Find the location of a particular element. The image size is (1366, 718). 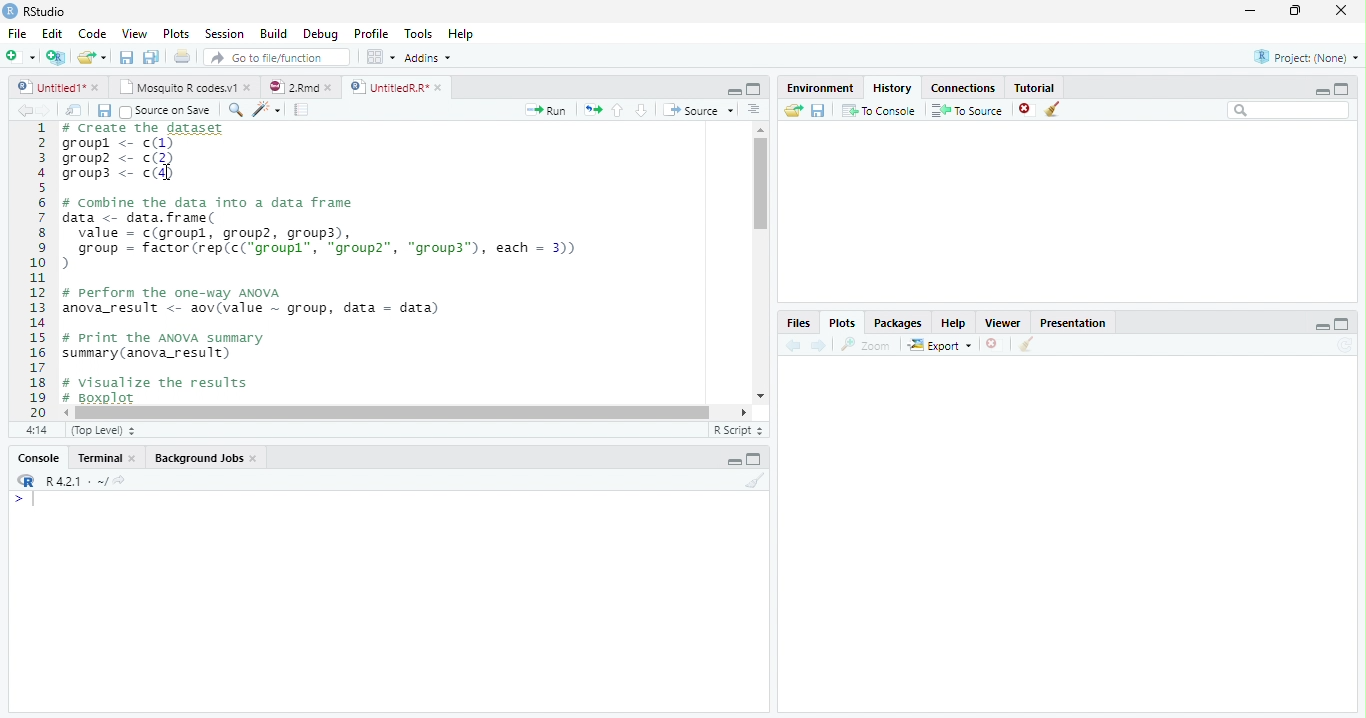

To source is located at coordinates (970, 112).